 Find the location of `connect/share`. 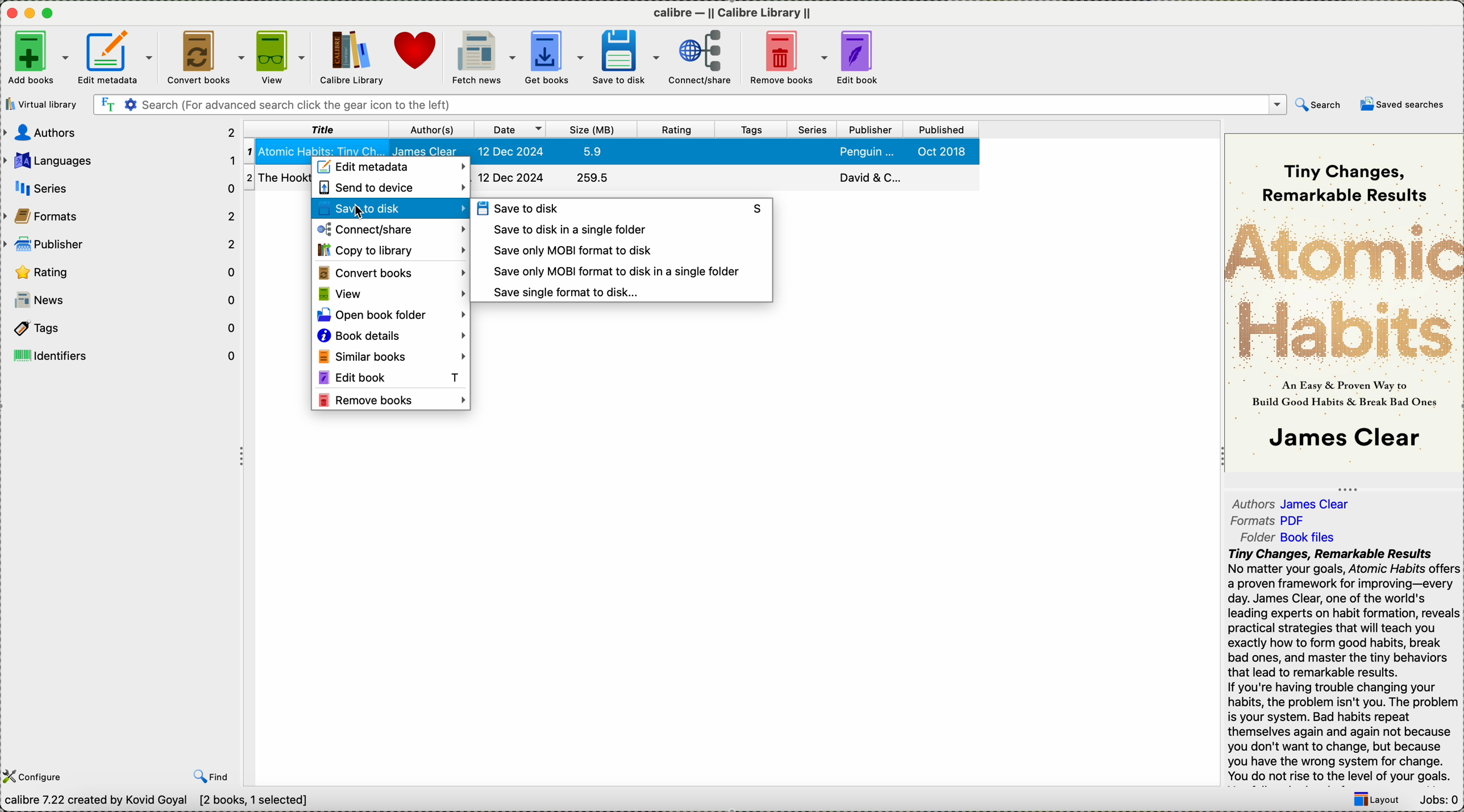

connect/share is located at coordinates (390, 228).